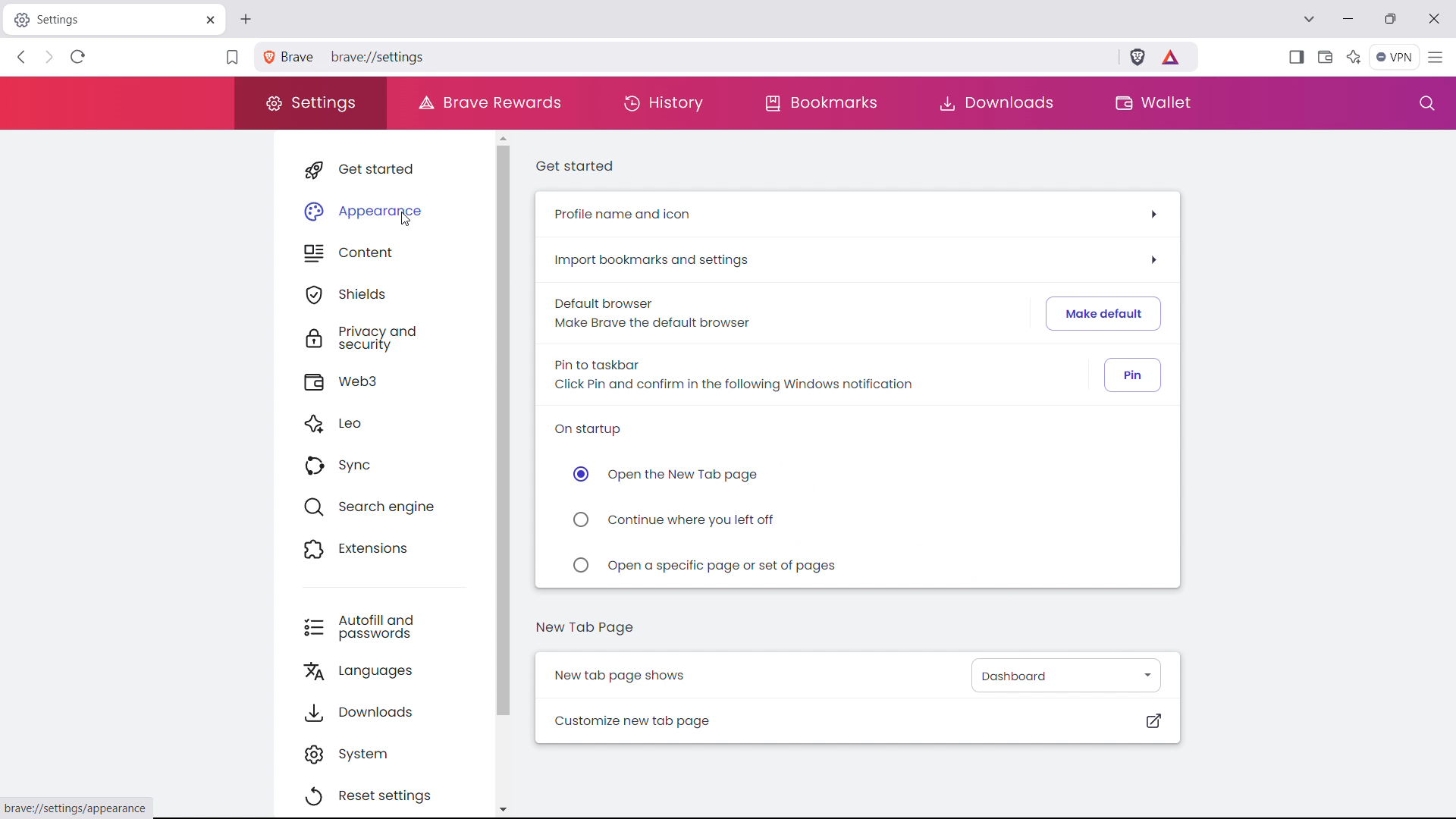 This screenshot has width=1456, height=819. Describe the element at coordinates (101, 20) in the screenshot. I see `Settings` at that location.